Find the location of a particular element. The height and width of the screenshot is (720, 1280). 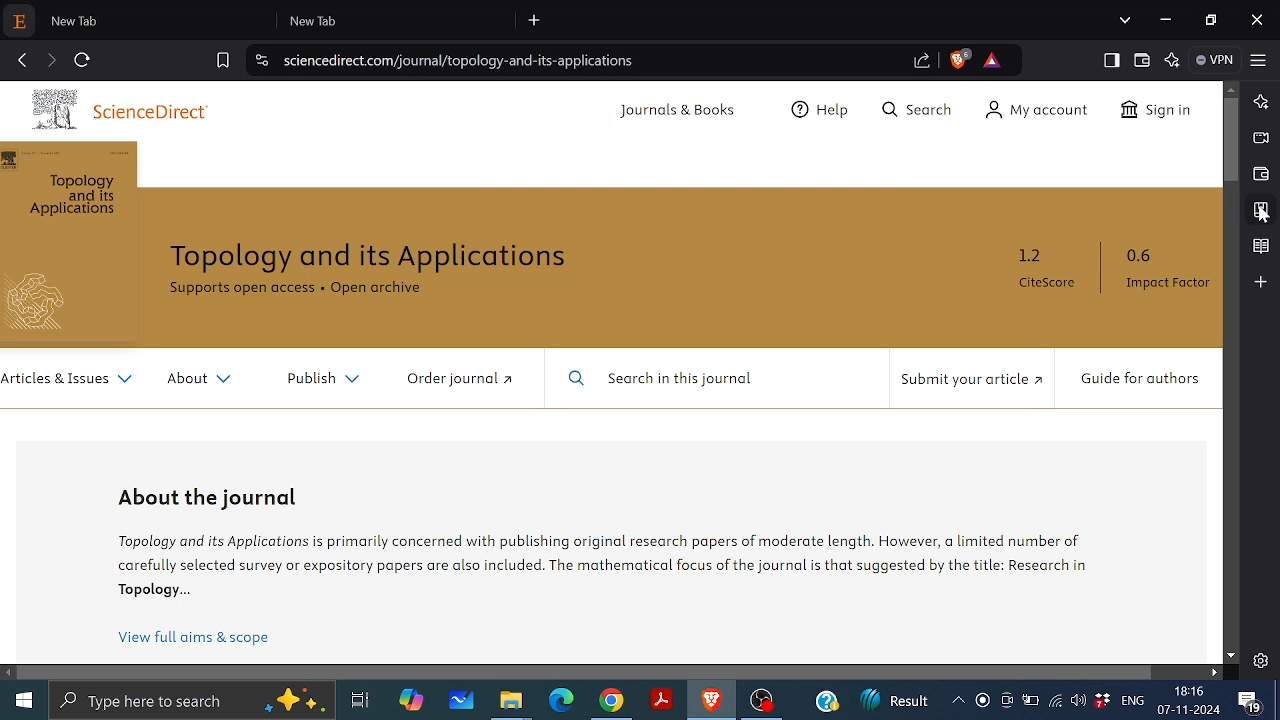

View site information is located at coordinates (259, 60).